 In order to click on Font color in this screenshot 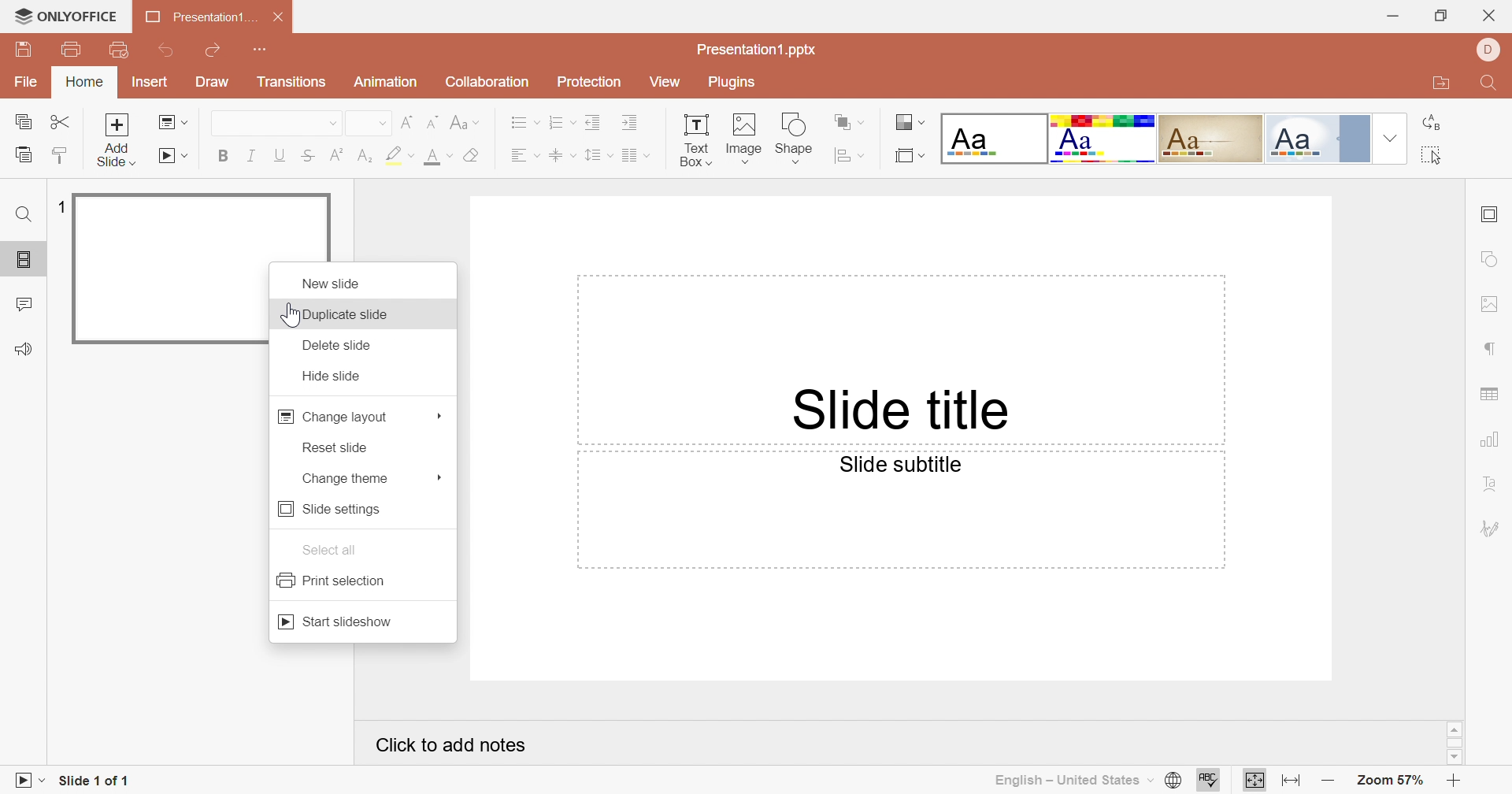, I will do `click(432, 158)`.